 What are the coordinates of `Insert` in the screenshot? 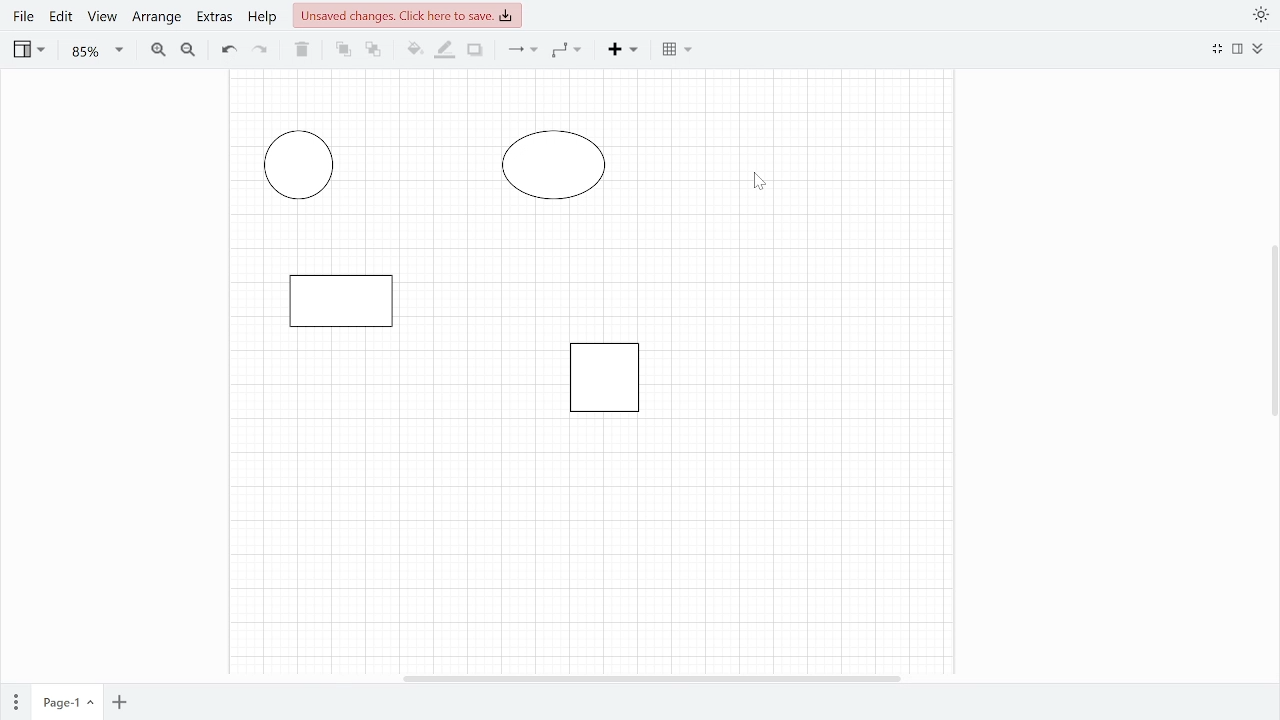 It's located at (626, 52).